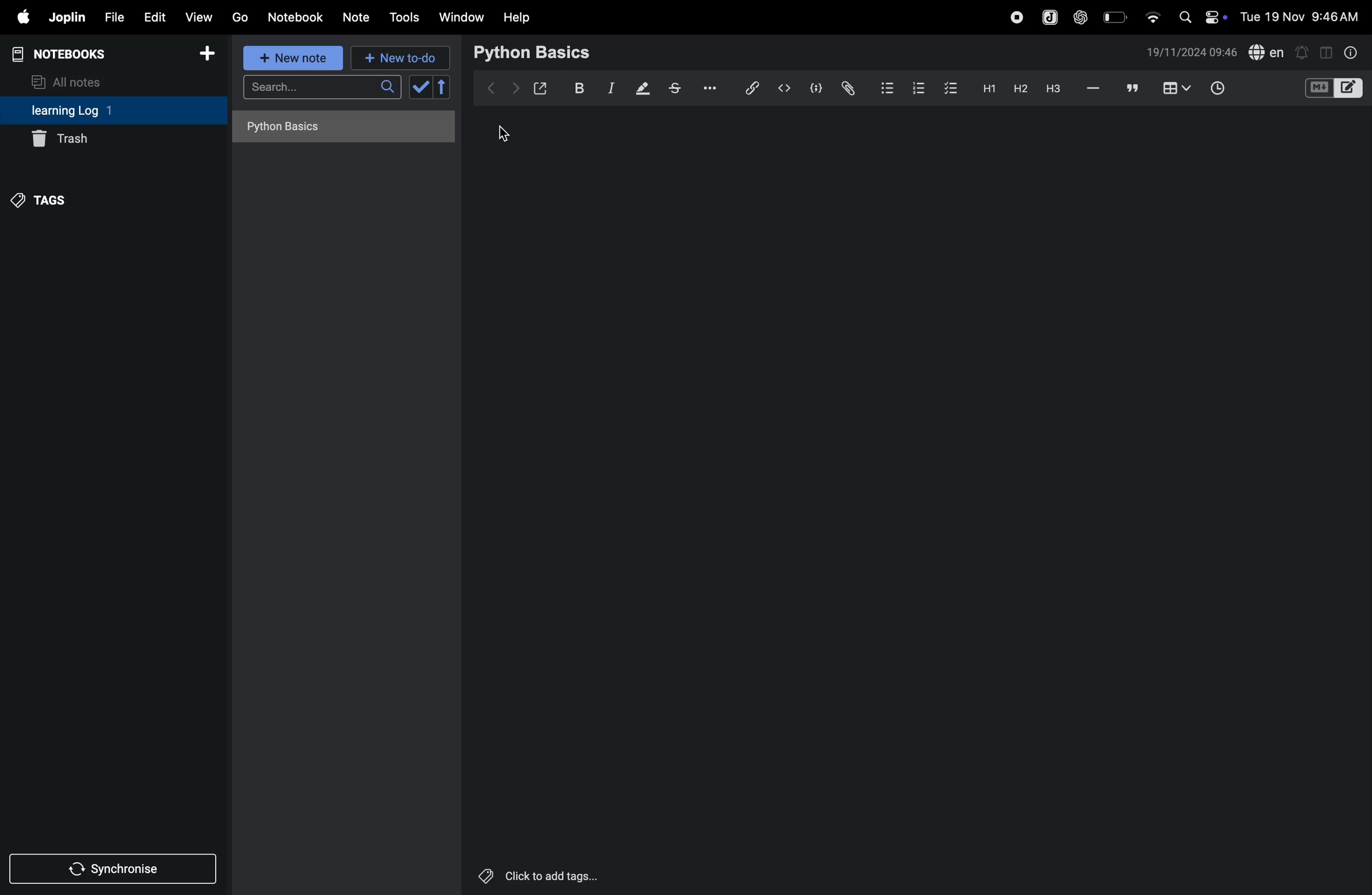 The width and height of the screenshot is (1372, 895). I want to click on click to addtags, so click(536, 875).